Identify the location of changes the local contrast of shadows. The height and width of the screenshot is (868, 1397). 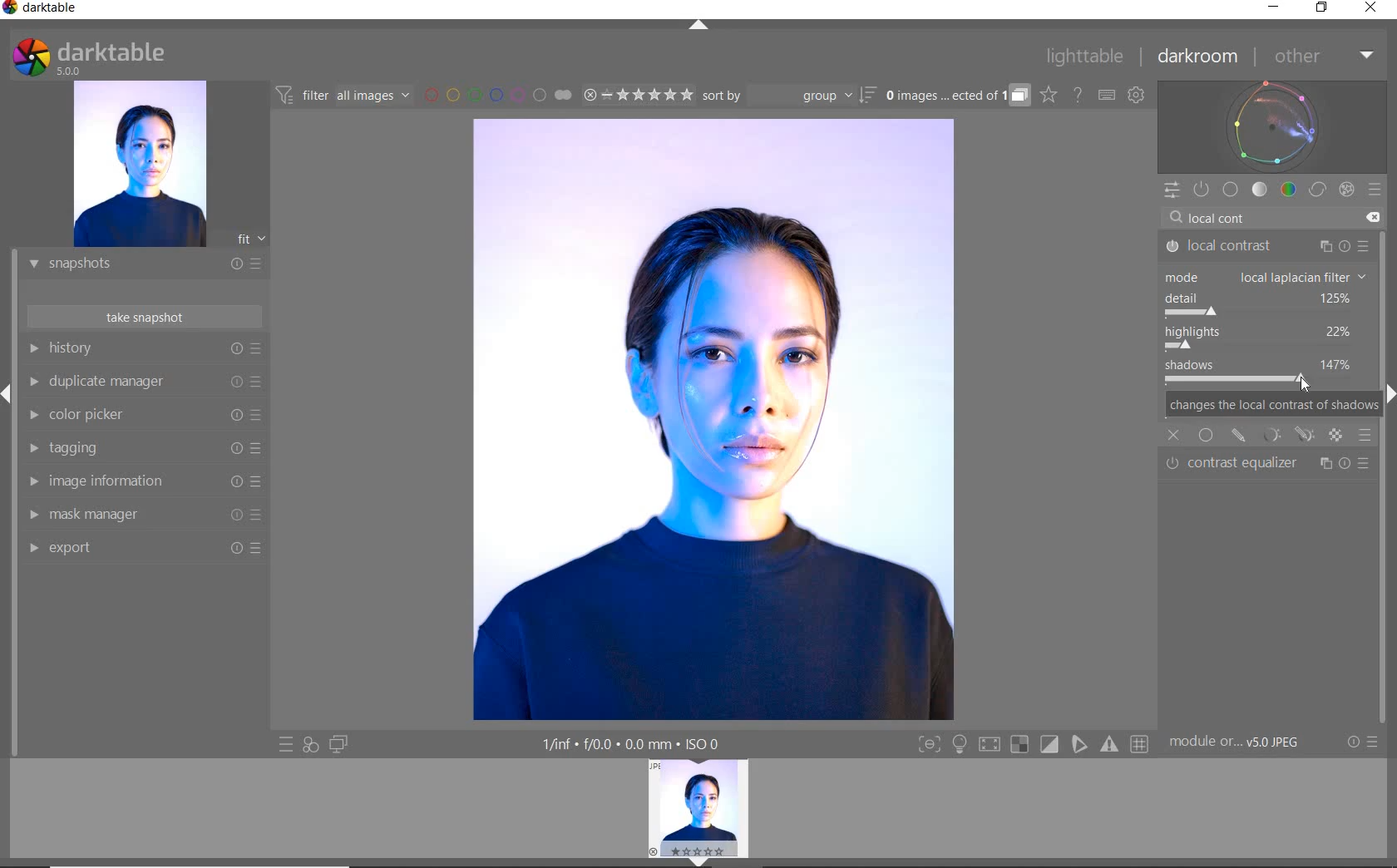
(1268, 407).